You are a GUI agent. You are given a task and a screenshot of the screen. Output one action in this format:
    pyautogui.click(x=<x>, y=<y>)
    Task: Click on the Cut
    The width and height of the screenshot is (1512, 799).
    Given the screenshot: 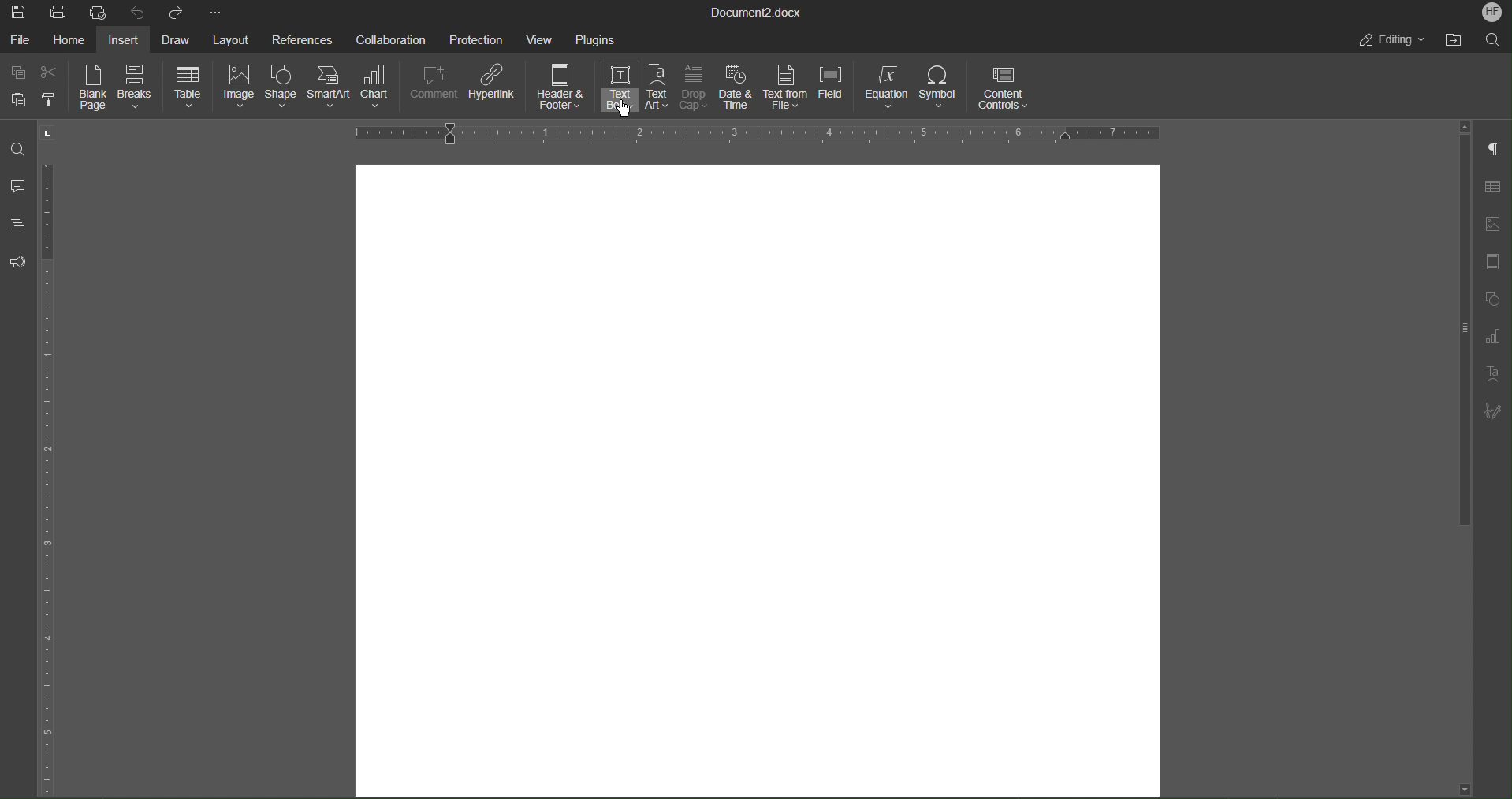 What is the action you would take?
    pyautogui.click(x=50, y=69)
    